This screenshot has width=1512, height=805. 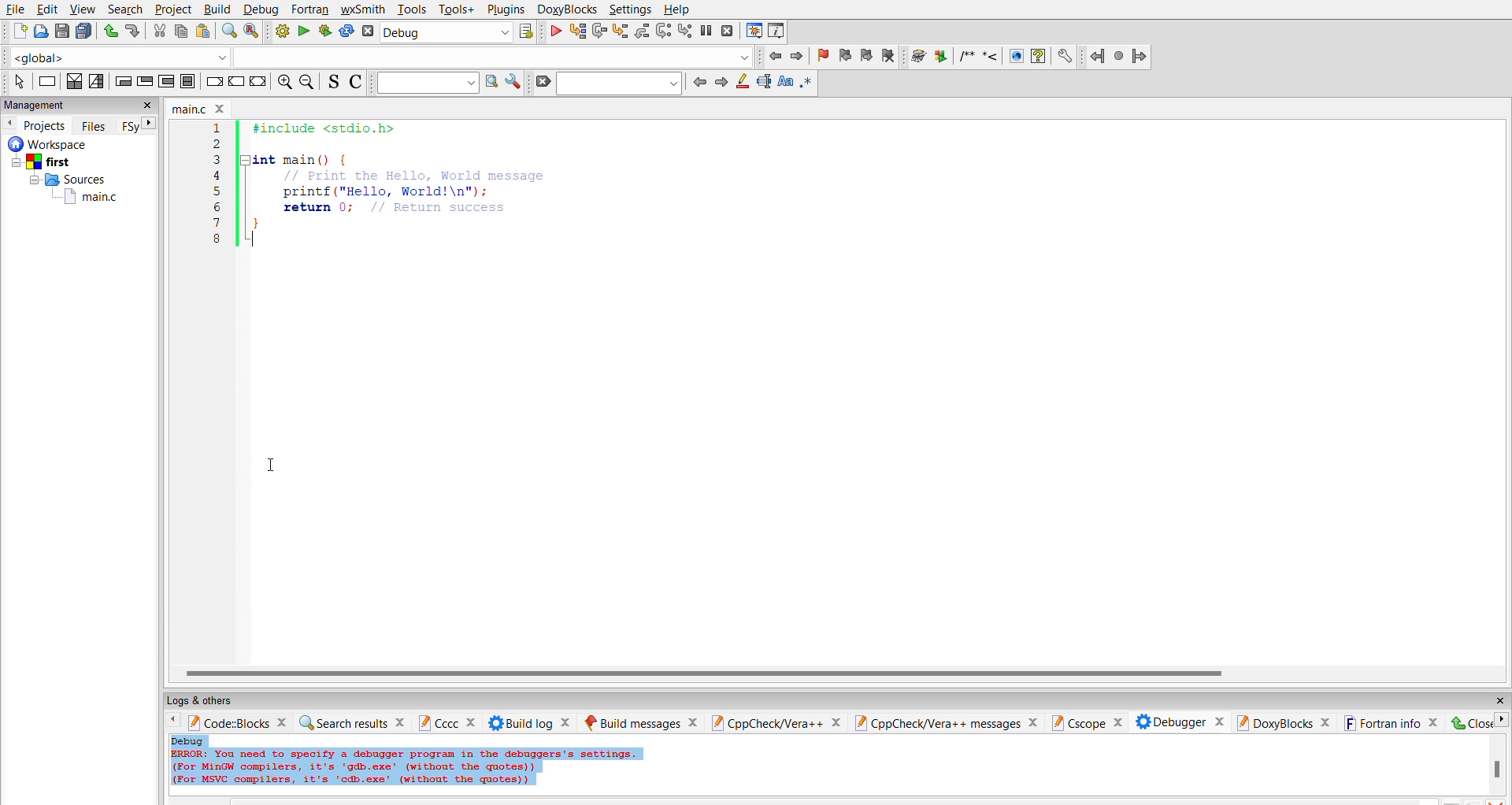 What do you see at coordinates (764, 83) in the screenshot?
I see `selected text` at bounding box center [764, 83].